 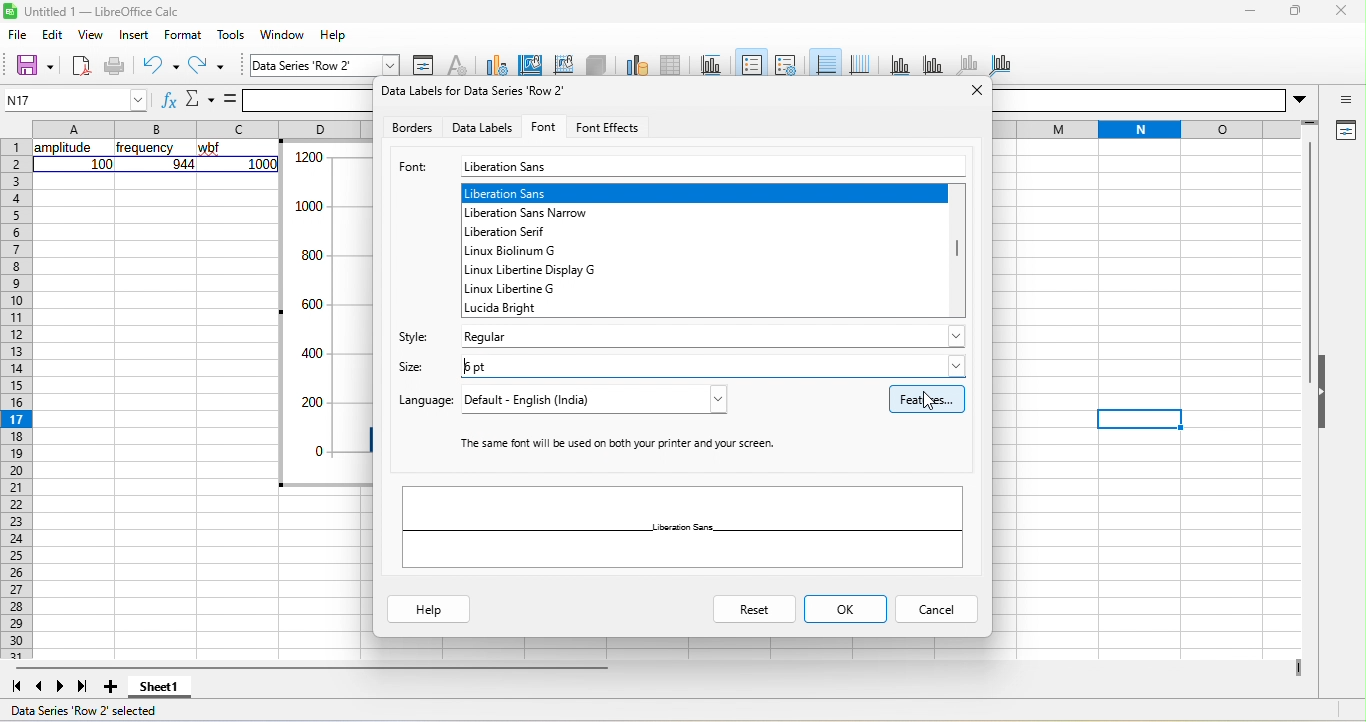 What do you see at coordinates (1004, 63) in the screenshot?
I see `all axes` at bounding box center [1004, 63].